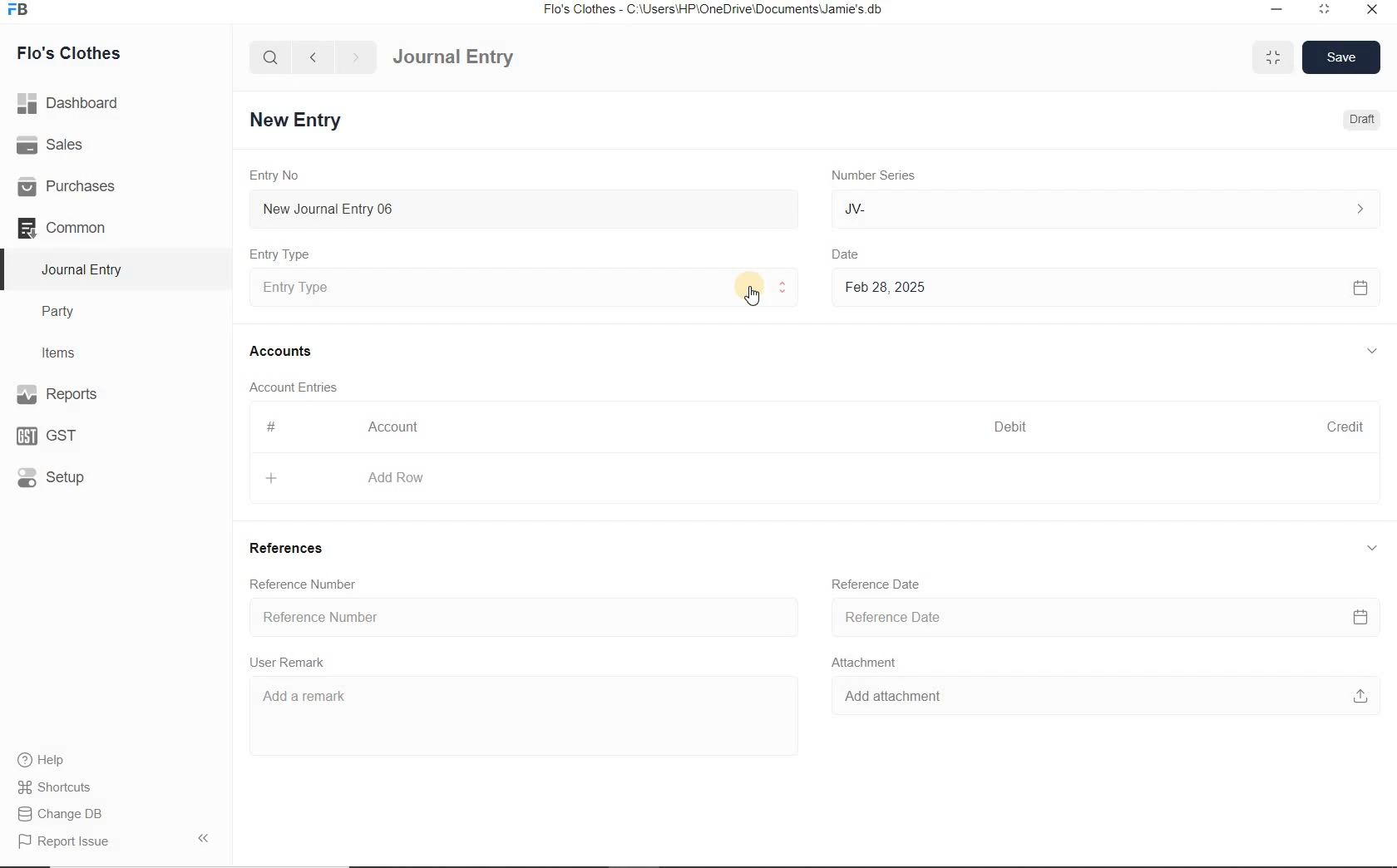  I want to click on collapse, so click(1370, 550).